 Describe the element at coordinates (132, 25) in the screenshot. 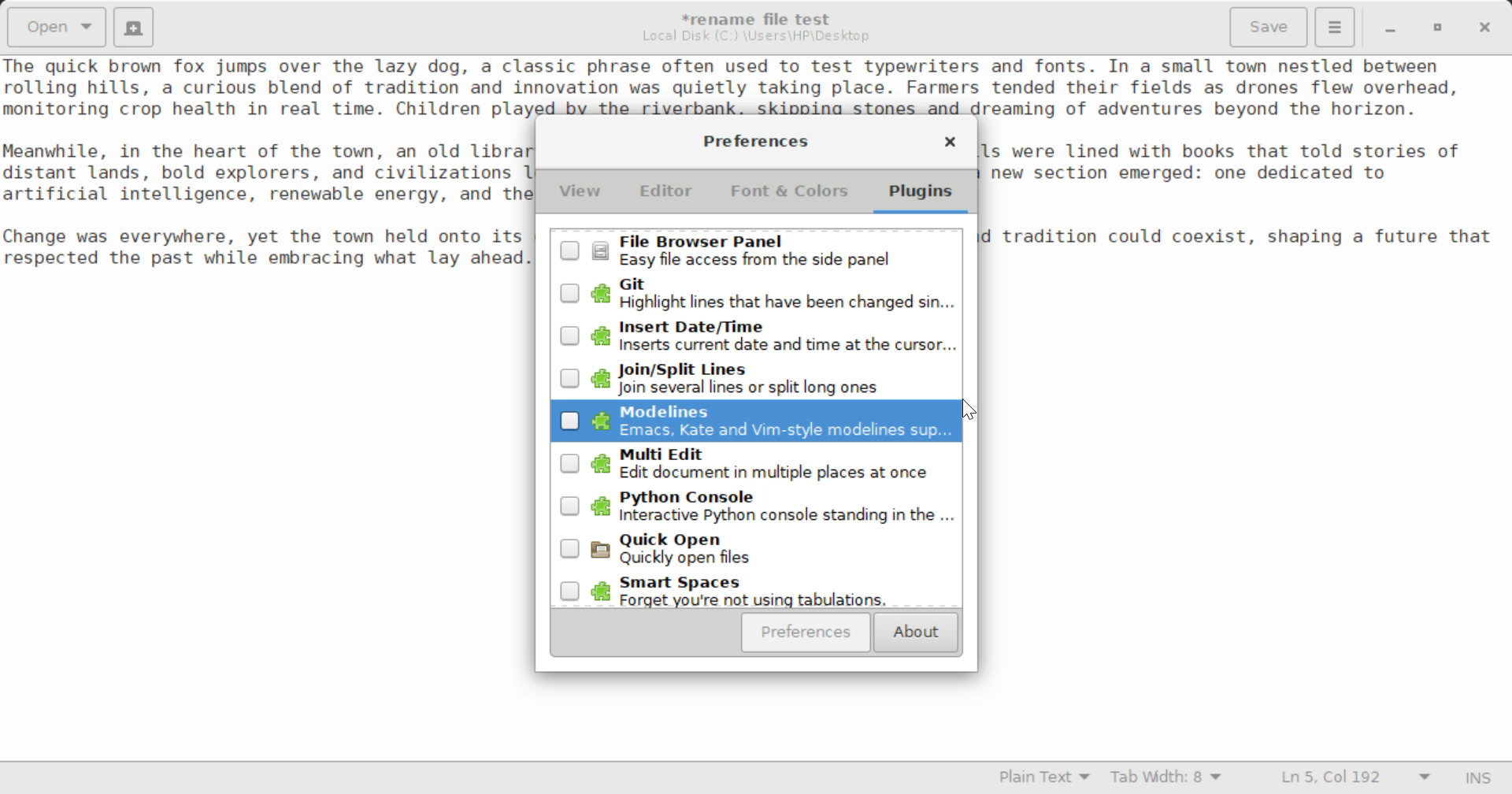

I see `Create New Document` at that location.